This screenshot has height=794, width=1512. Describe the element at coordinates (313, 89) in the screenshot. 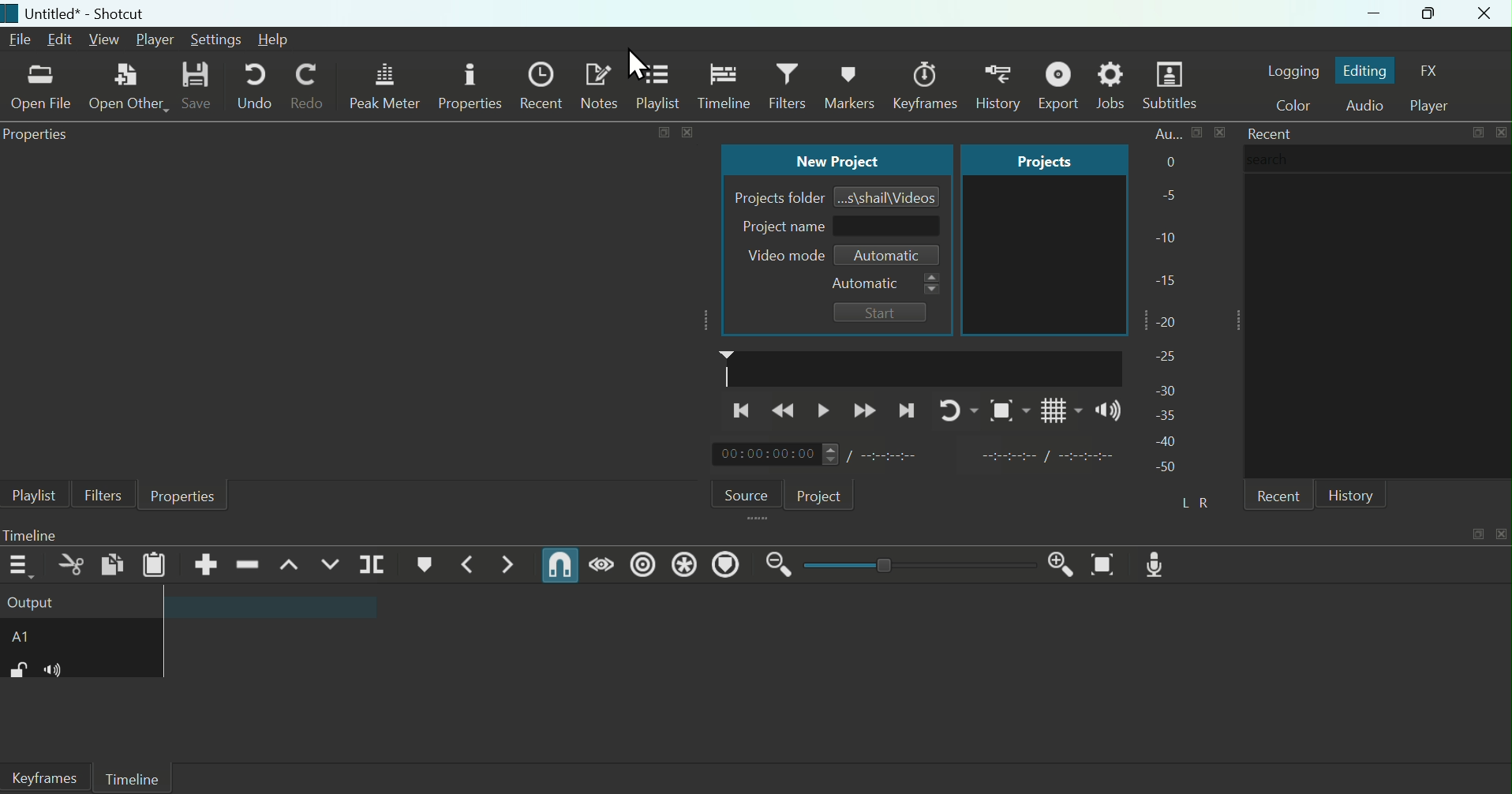

I see `Redo` at that location.